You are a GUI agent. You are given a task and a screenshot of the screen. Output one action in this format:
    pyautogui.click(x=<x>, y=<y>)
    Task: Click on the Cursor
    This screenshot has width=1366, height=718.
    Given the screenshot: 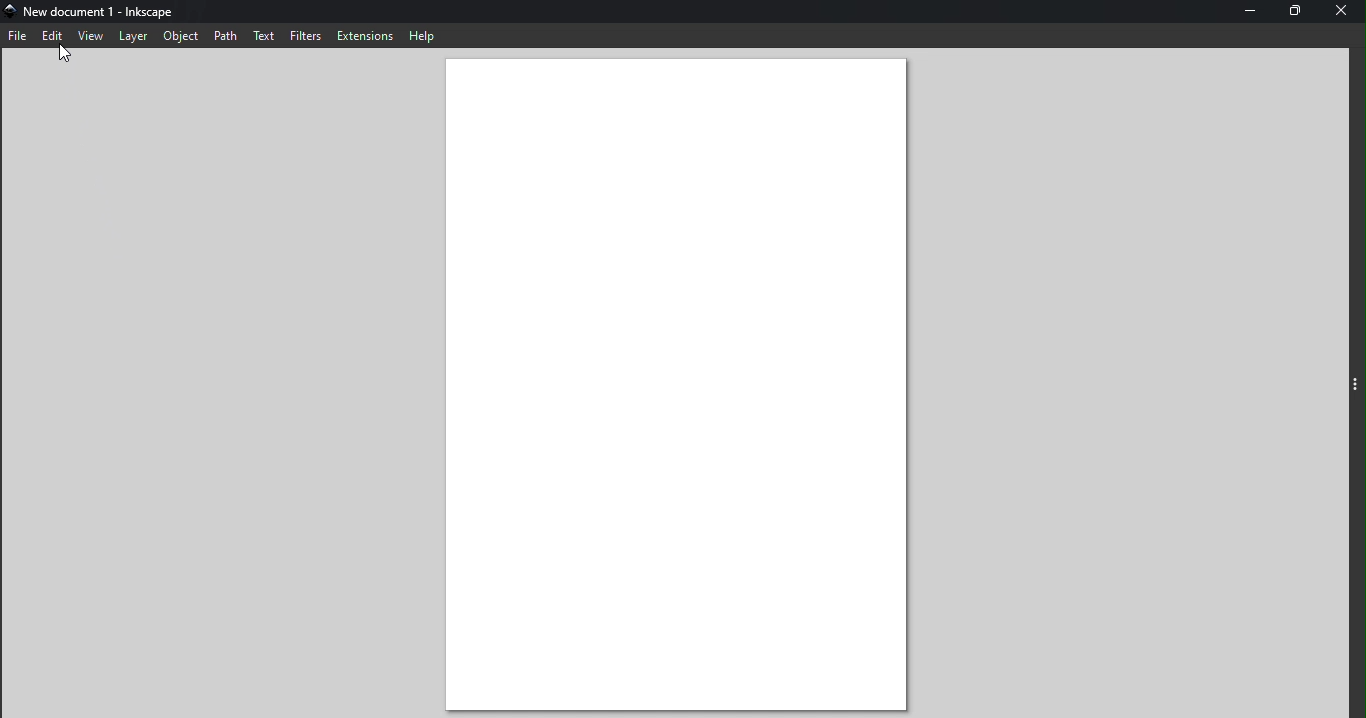 What is the action you would take?
    pyautogui.click(x=57, y=55)
    